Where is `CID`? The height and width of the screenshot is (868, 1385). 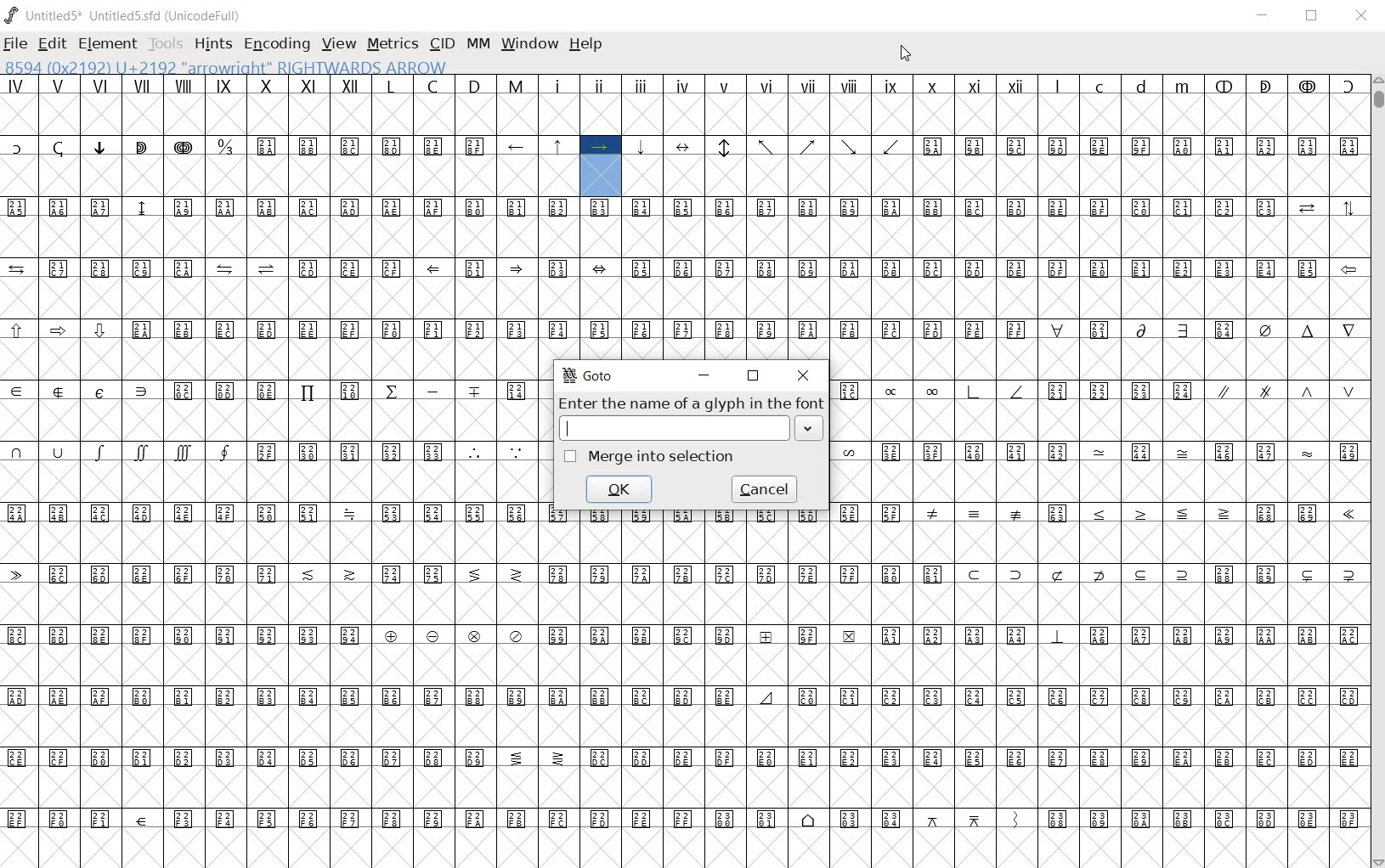 CID is located at coordinates (441, 43).